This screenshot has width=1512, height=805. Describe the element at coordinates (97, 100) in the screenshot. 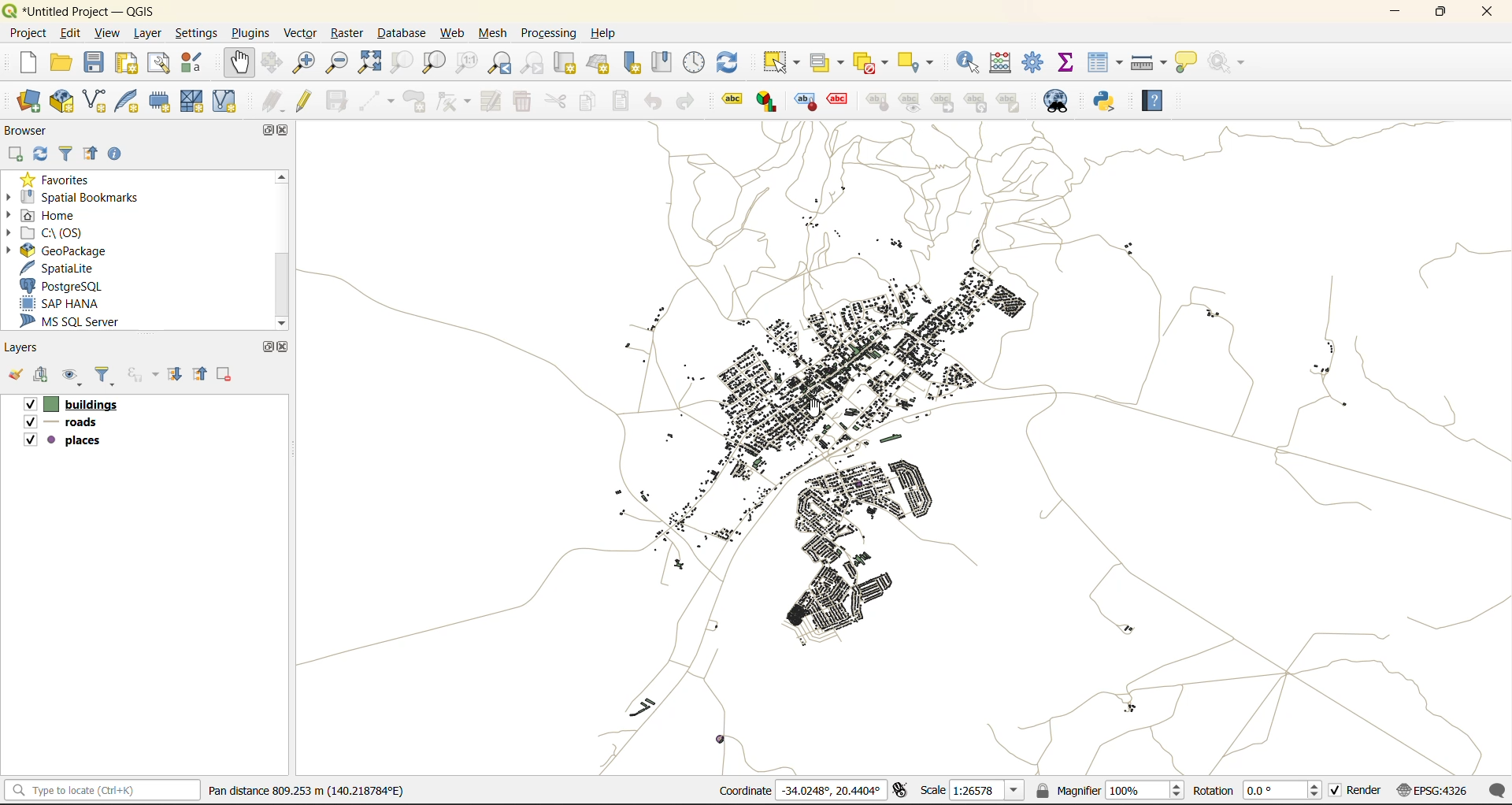

I see `new shapefile` at that location.